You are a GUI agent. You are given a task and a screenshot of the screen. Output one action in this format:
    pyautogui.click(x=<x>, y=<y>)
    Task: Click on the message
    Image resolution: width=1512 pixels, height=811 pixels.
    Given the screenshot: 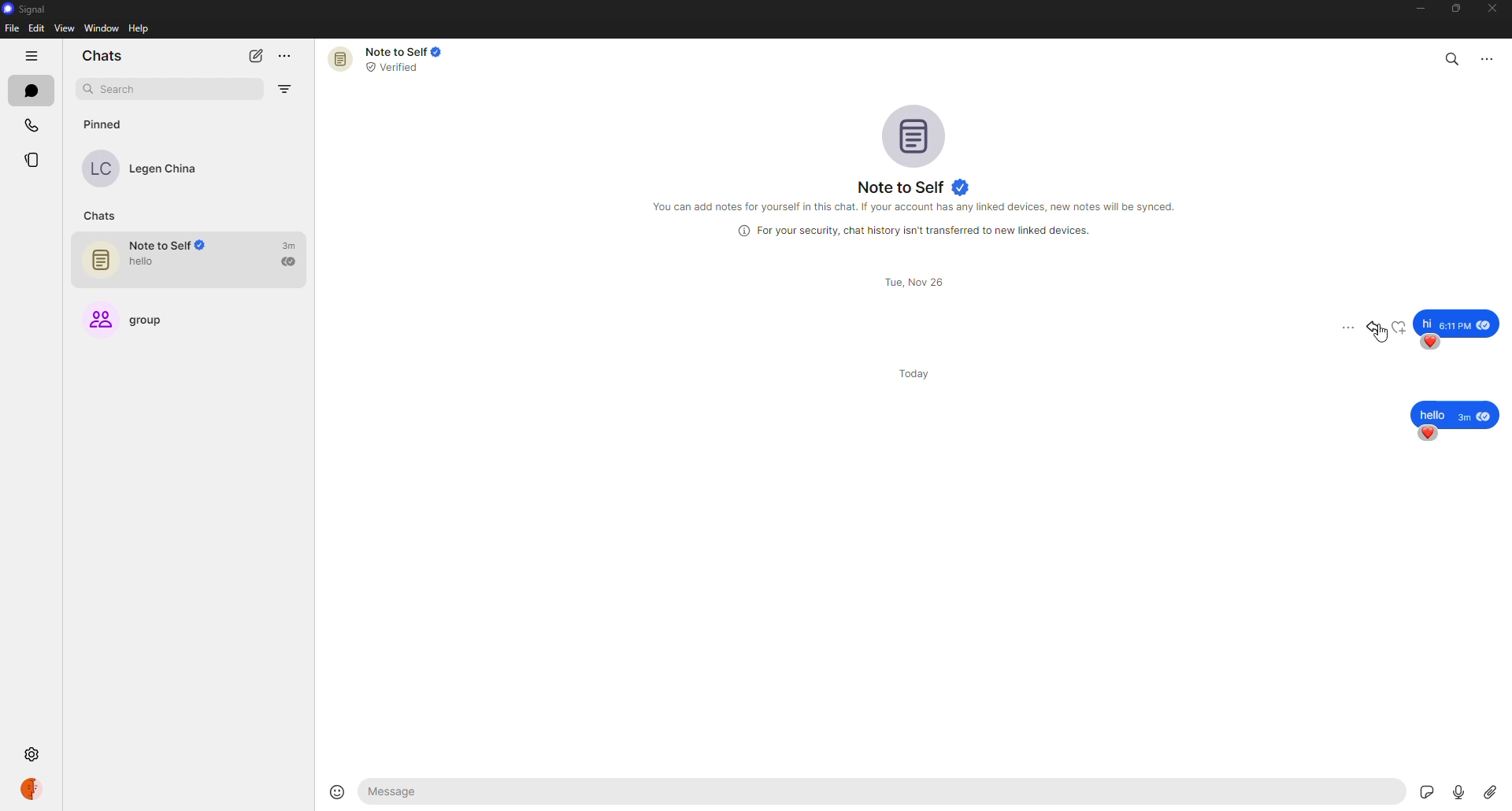 What is the action you would take?
    pyautogui.click(x=1457, y=321)
    